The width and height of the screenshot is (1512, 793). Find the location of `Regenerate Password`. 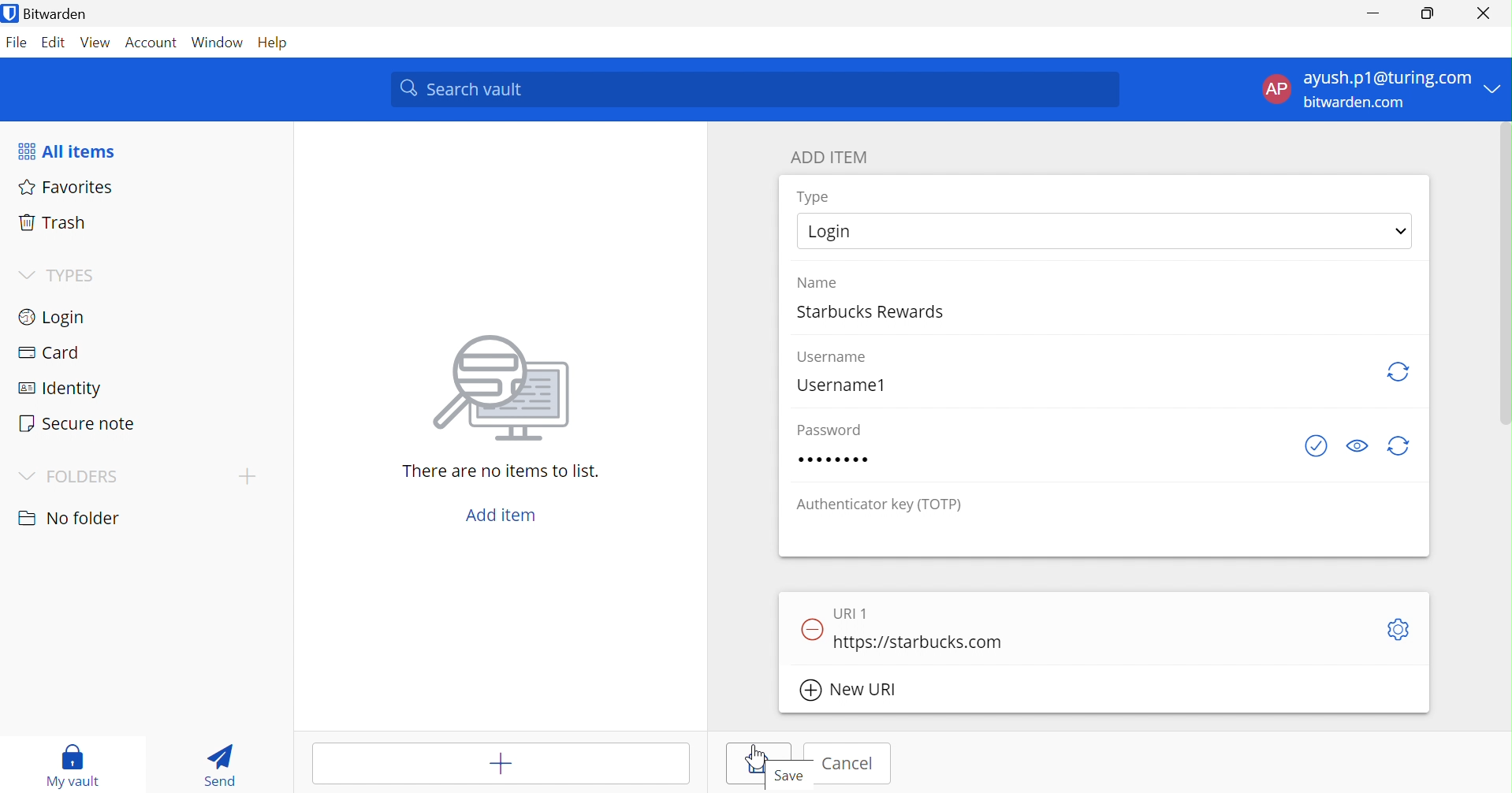

Regenerate Password is located at coordinates (1399, 446).